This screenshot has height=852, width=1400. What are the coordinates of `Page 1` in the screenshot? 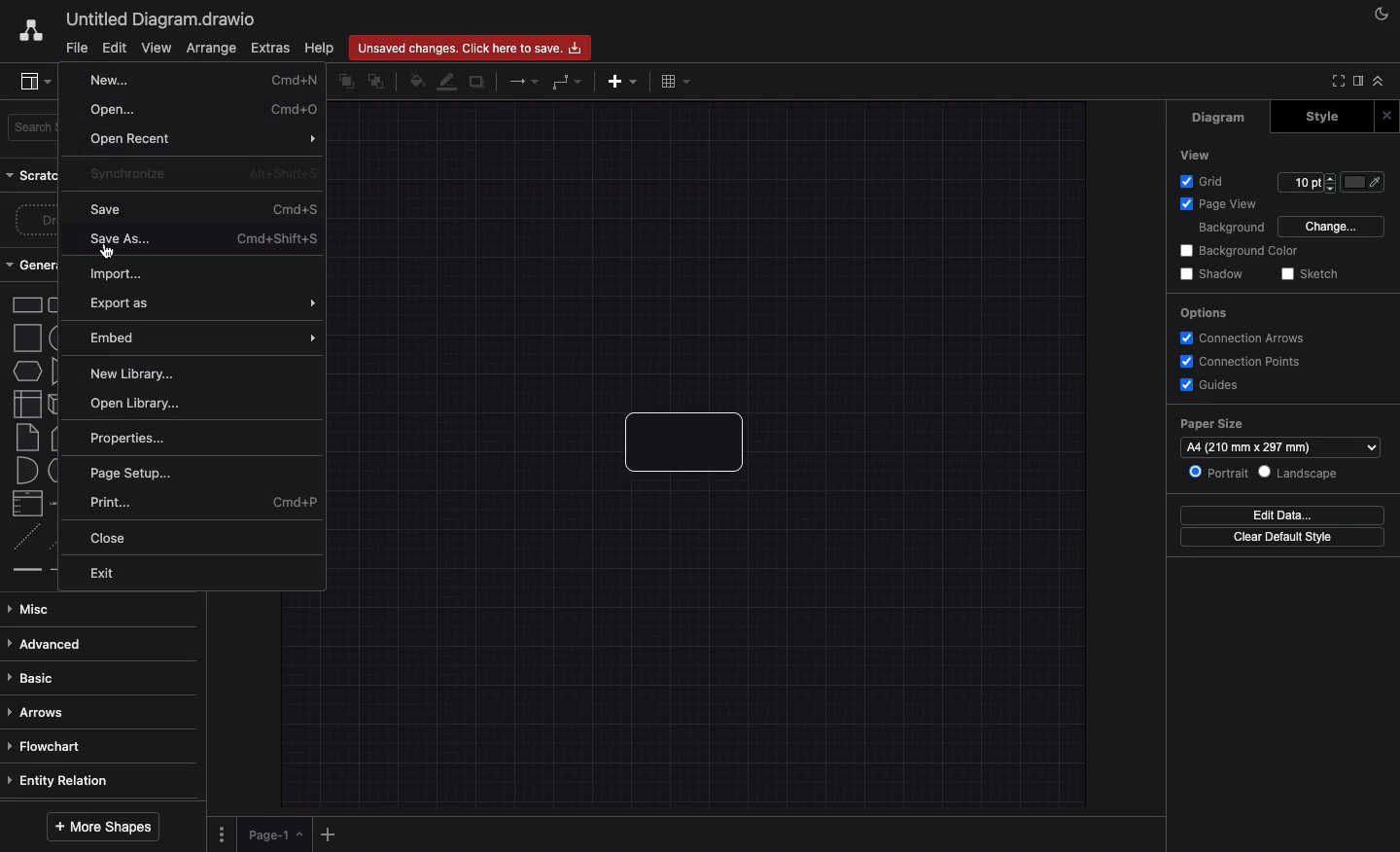 It's located at (274, 836).